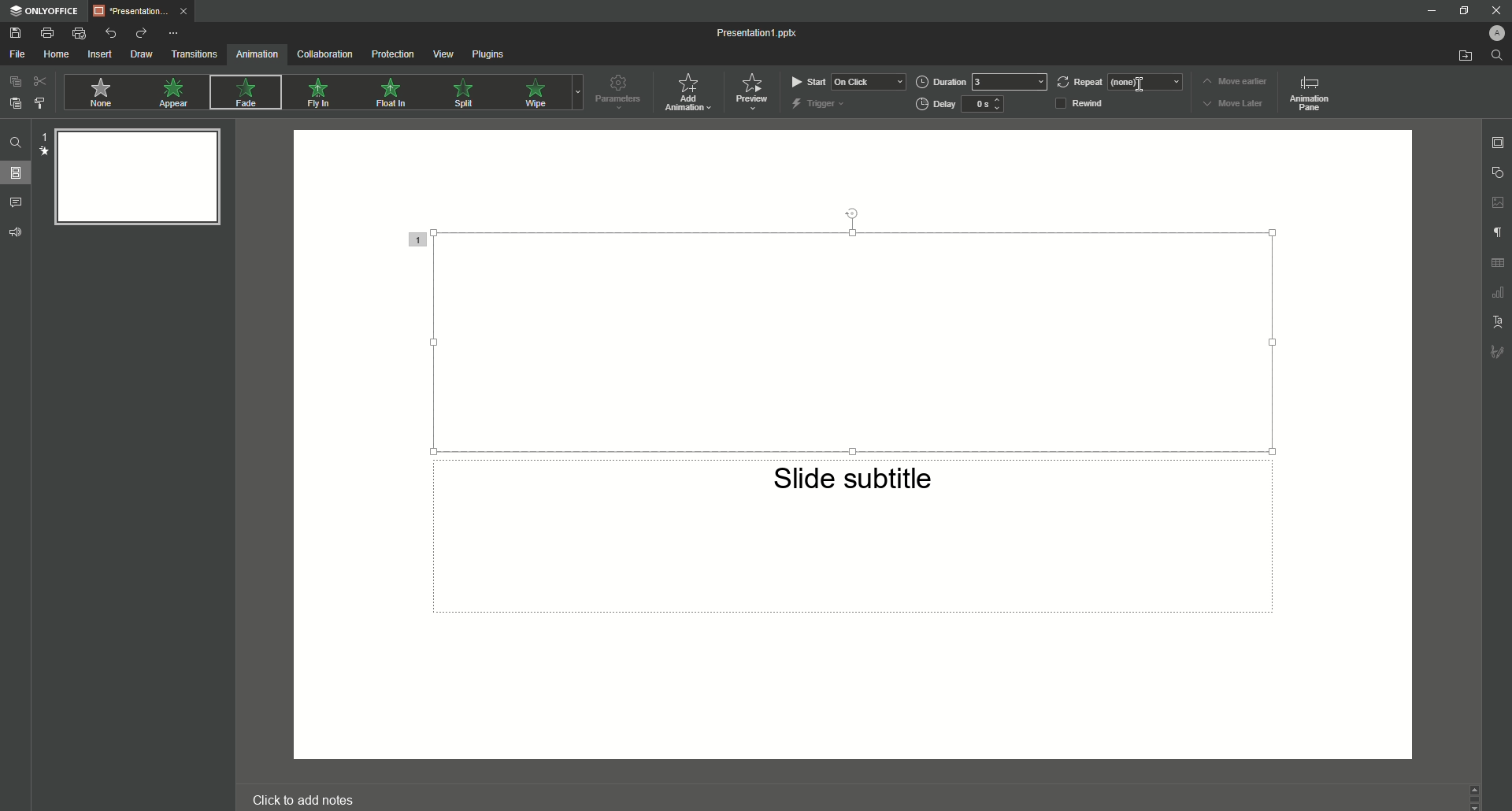 The image size is (1512, 811). Describe the element at coordinates (16, 231) in the screenshot. I see `Feedback` at that location.